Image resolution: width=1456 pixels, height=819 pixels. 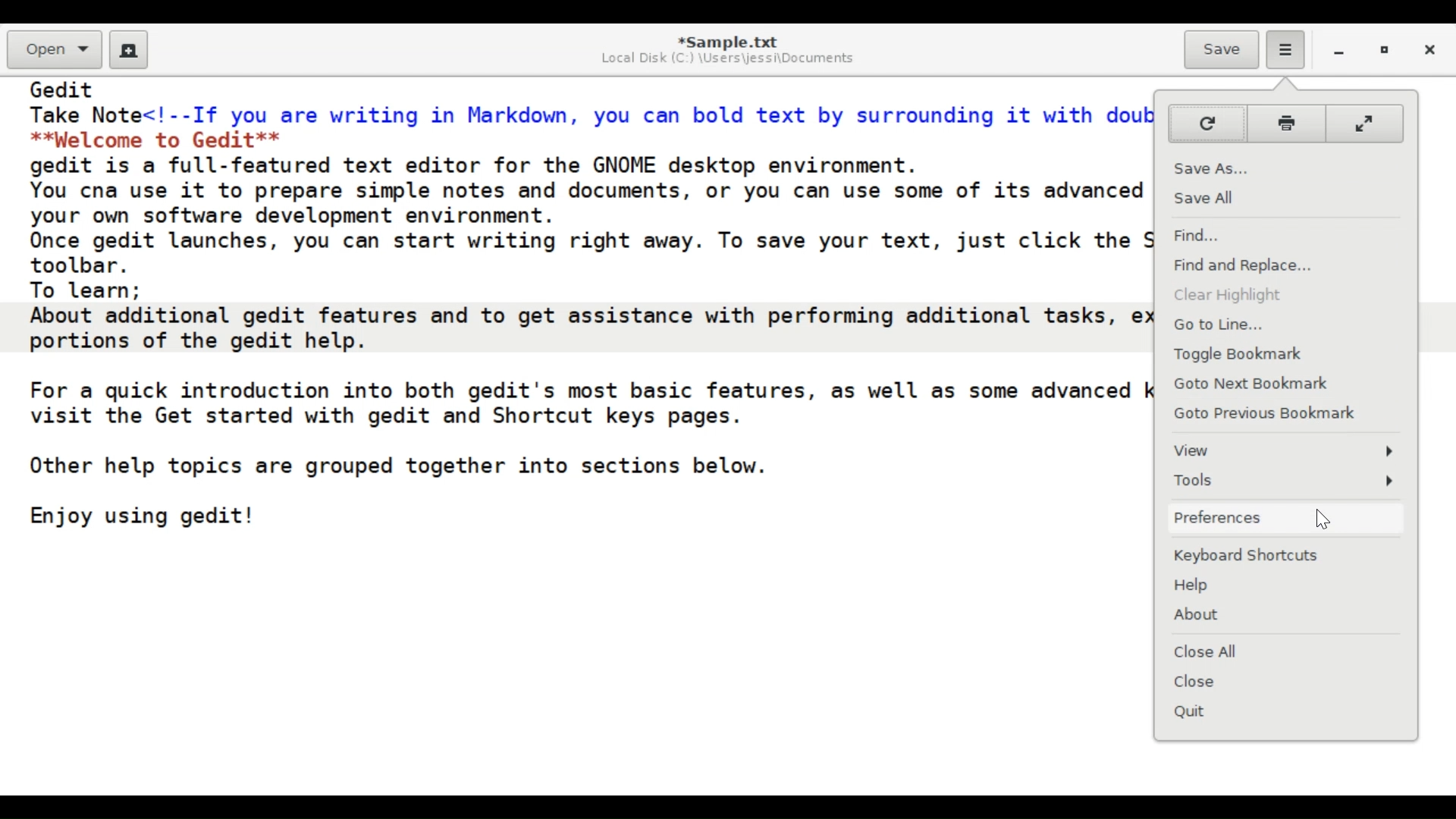 I want to click on Find and Replace, so click(x=1286, y=265).